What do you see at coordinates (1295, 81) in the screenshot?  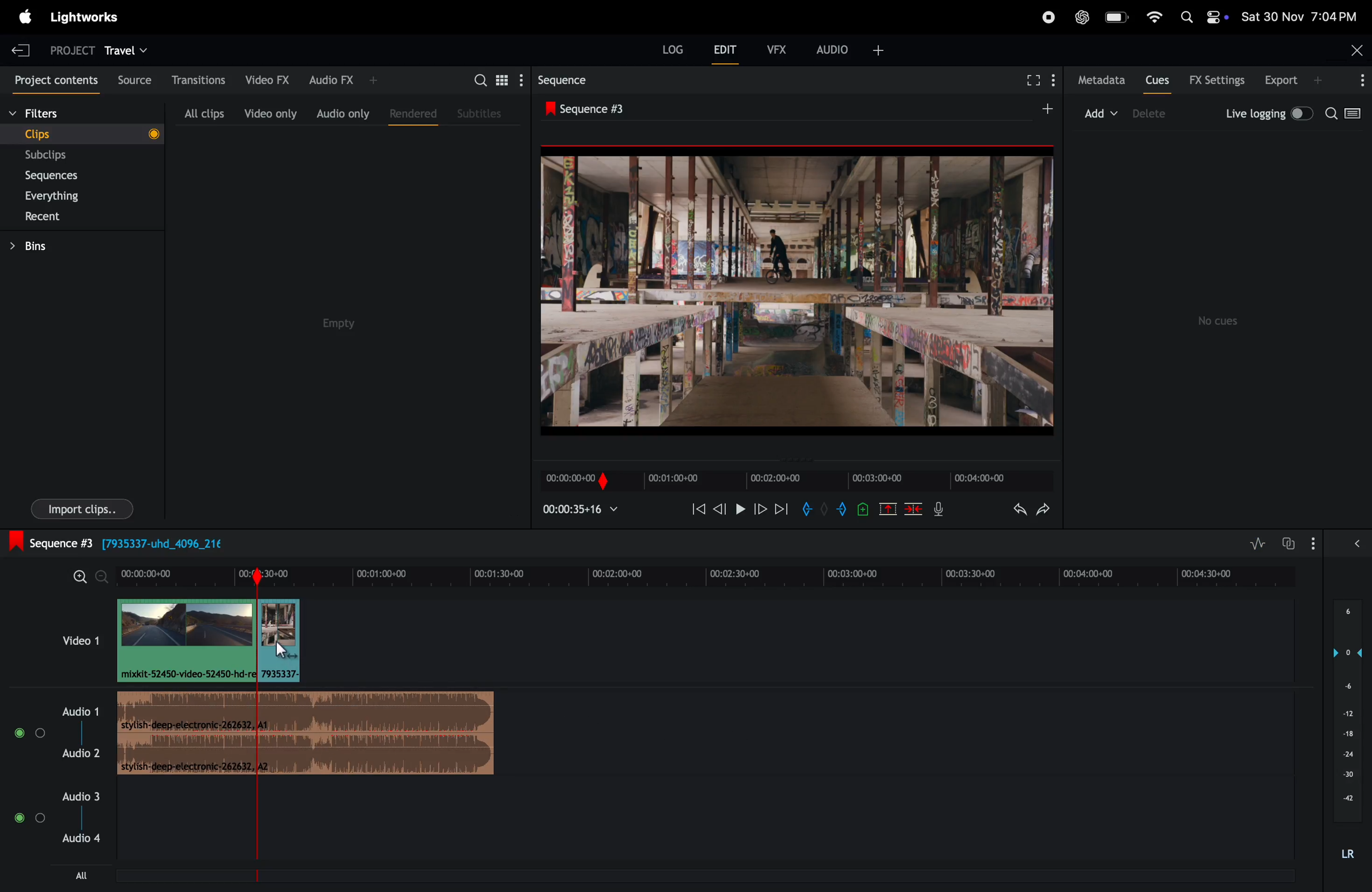 I see `export +` at bounding box center [1295, 81].